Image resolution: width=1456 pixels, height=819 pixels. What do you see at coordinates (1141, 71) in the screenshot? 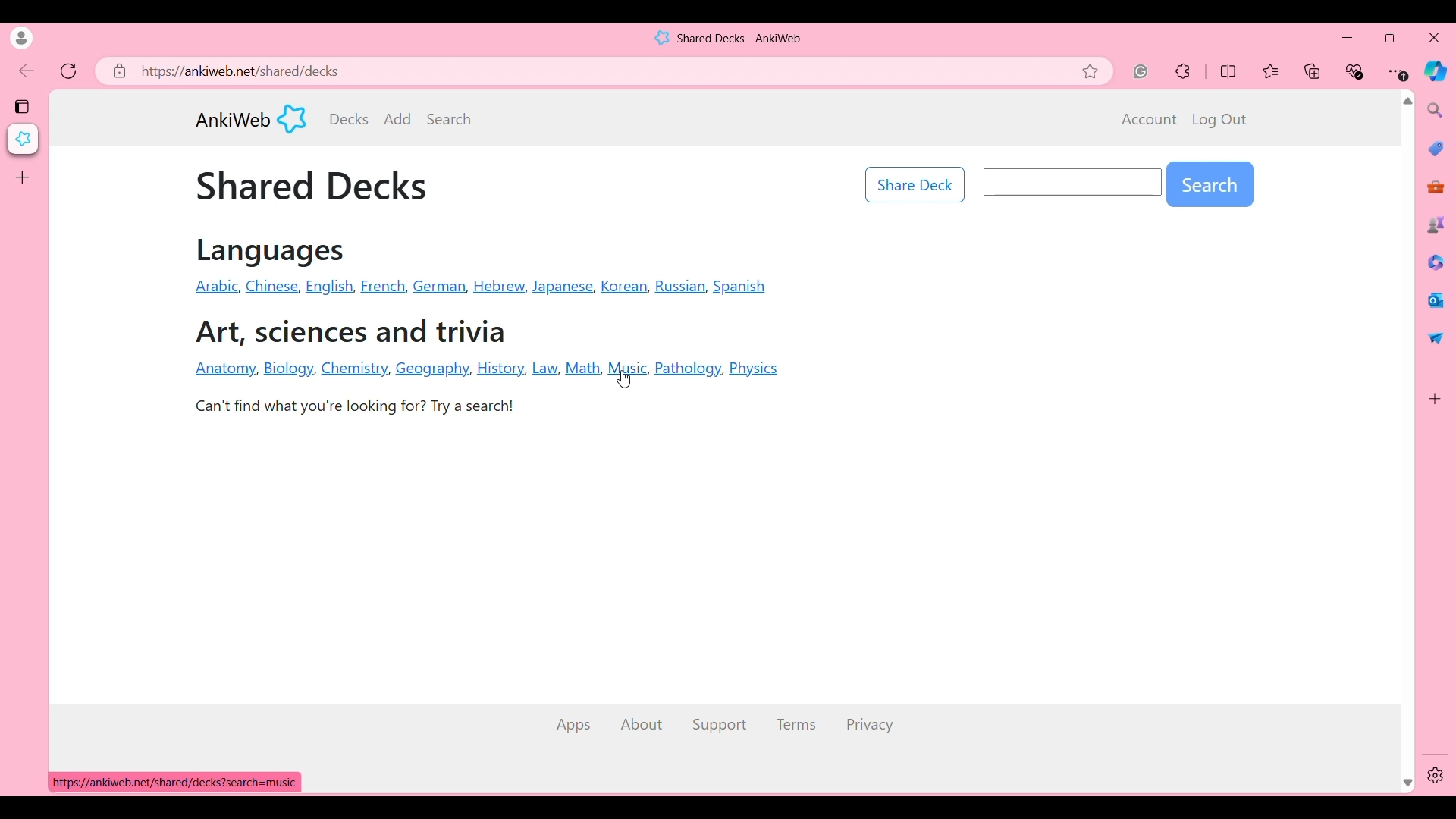
I see `Grammarly extension` at bounding box center [1141, 71].